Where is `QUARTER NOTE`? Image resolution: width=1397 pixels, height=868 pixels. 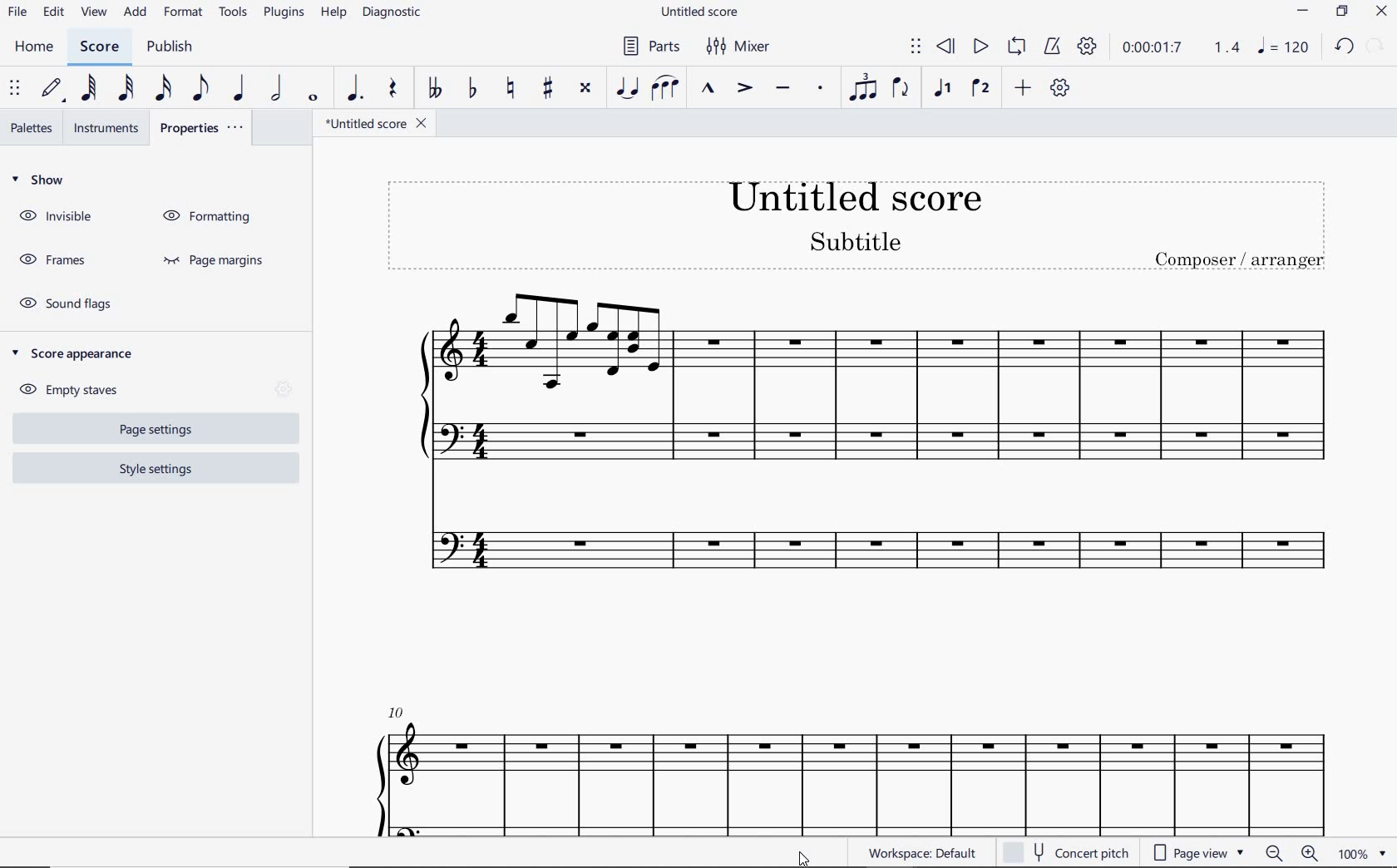
QUARTER NOTE is located at coordinates (240, 87).